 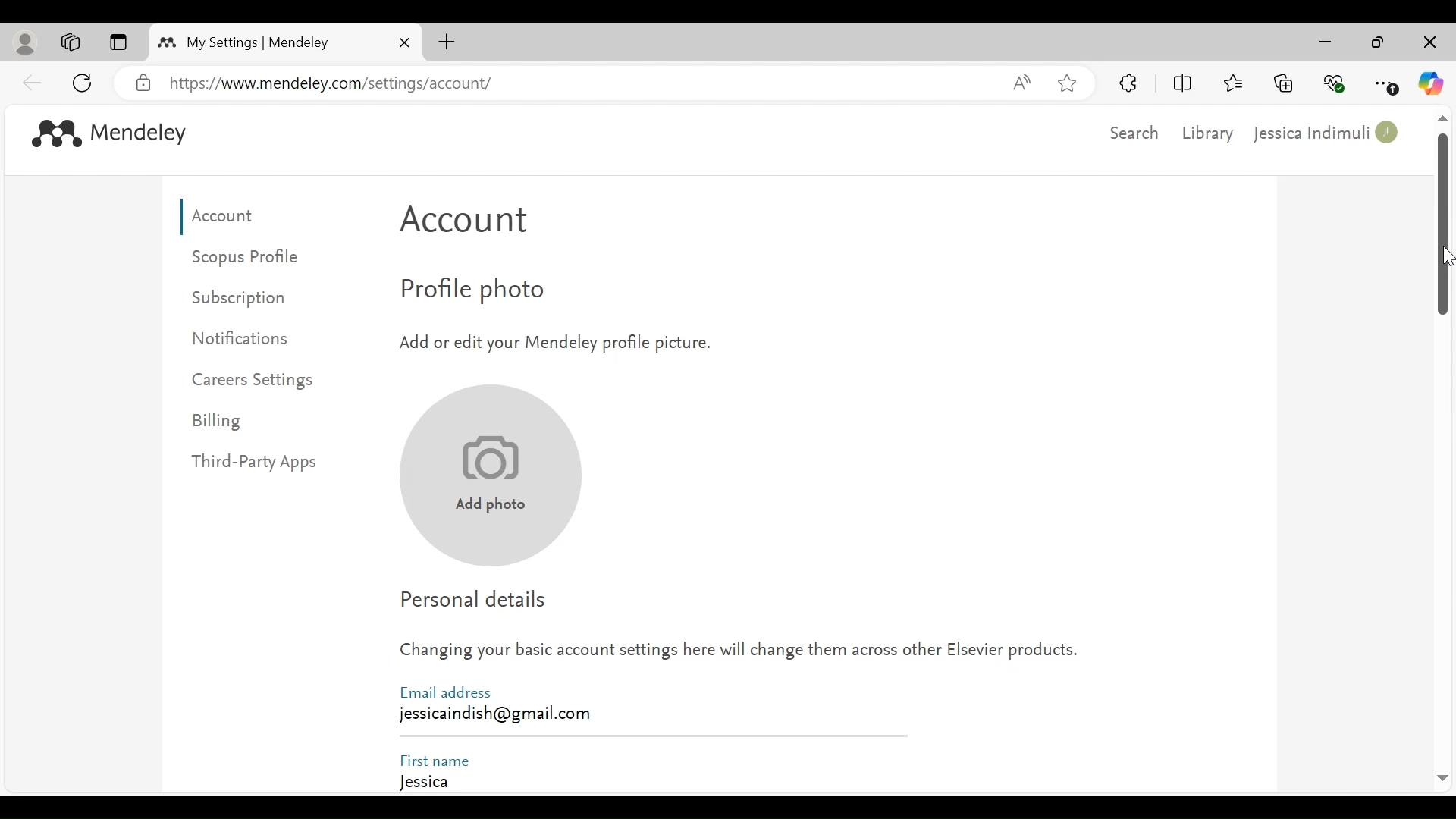 What do you see at coordinates (71, 42) in the screenshot?
I see `Workspaces` at bounding box center [71, 42].